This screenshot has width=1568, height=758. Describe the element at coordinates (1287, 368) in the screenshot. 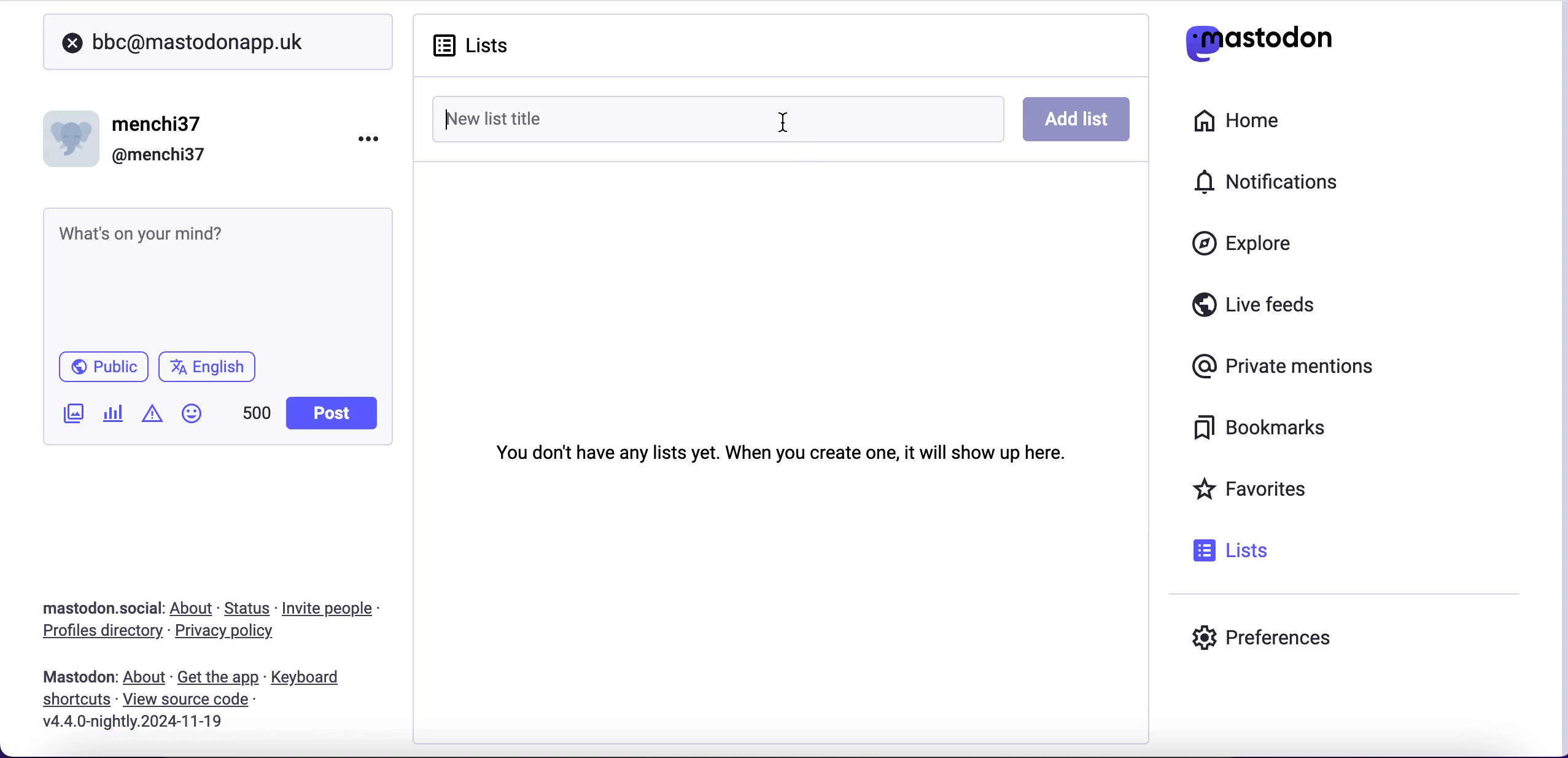

I see `private mentions` at that location.